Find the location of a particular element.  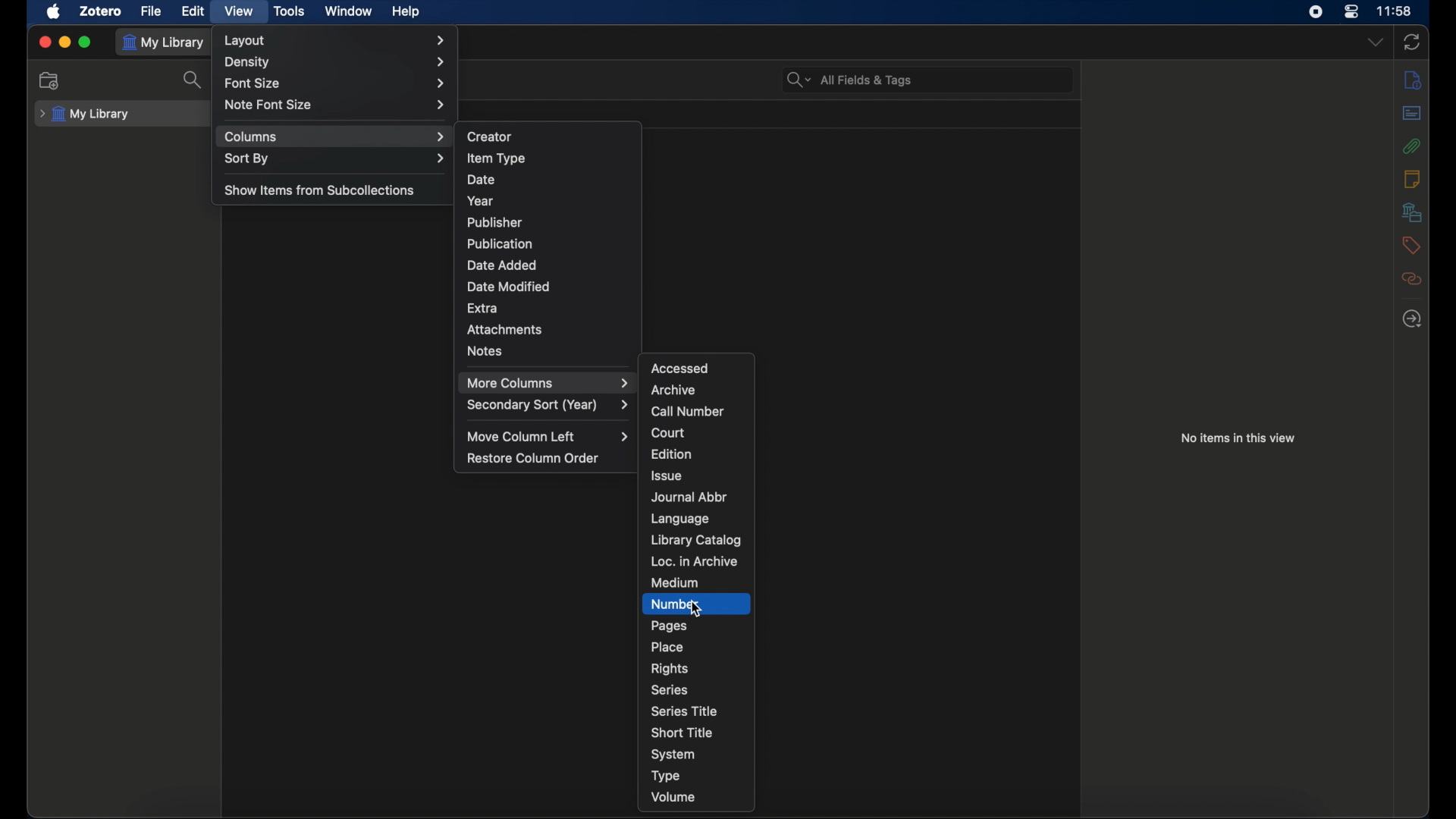

my library is located at coordinates (164, 42).